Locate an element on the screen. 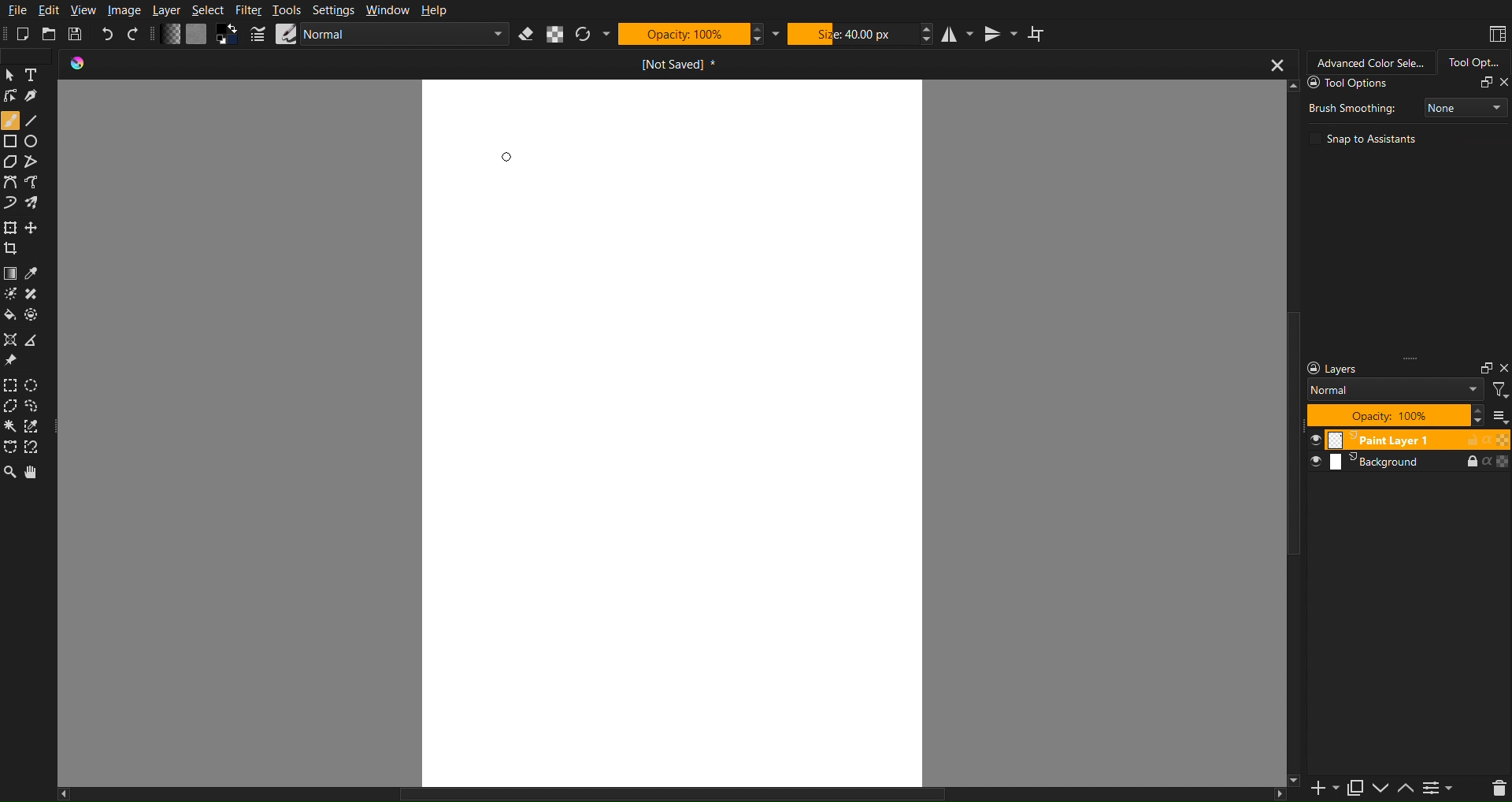  Color Picker is located at coordinates (38, 273).